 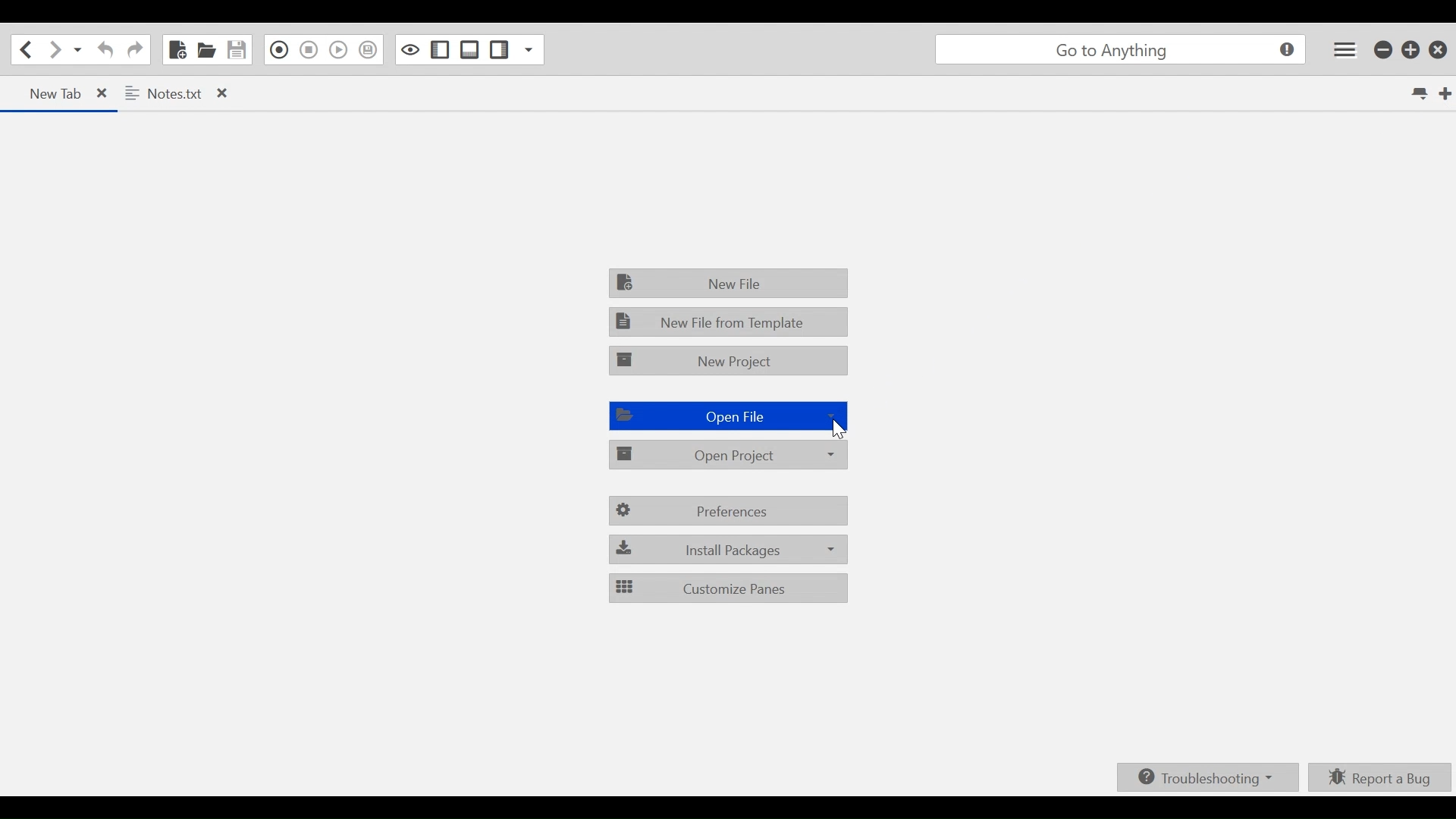 I want to click on Go back one loaction, so click(x=25, y=49).